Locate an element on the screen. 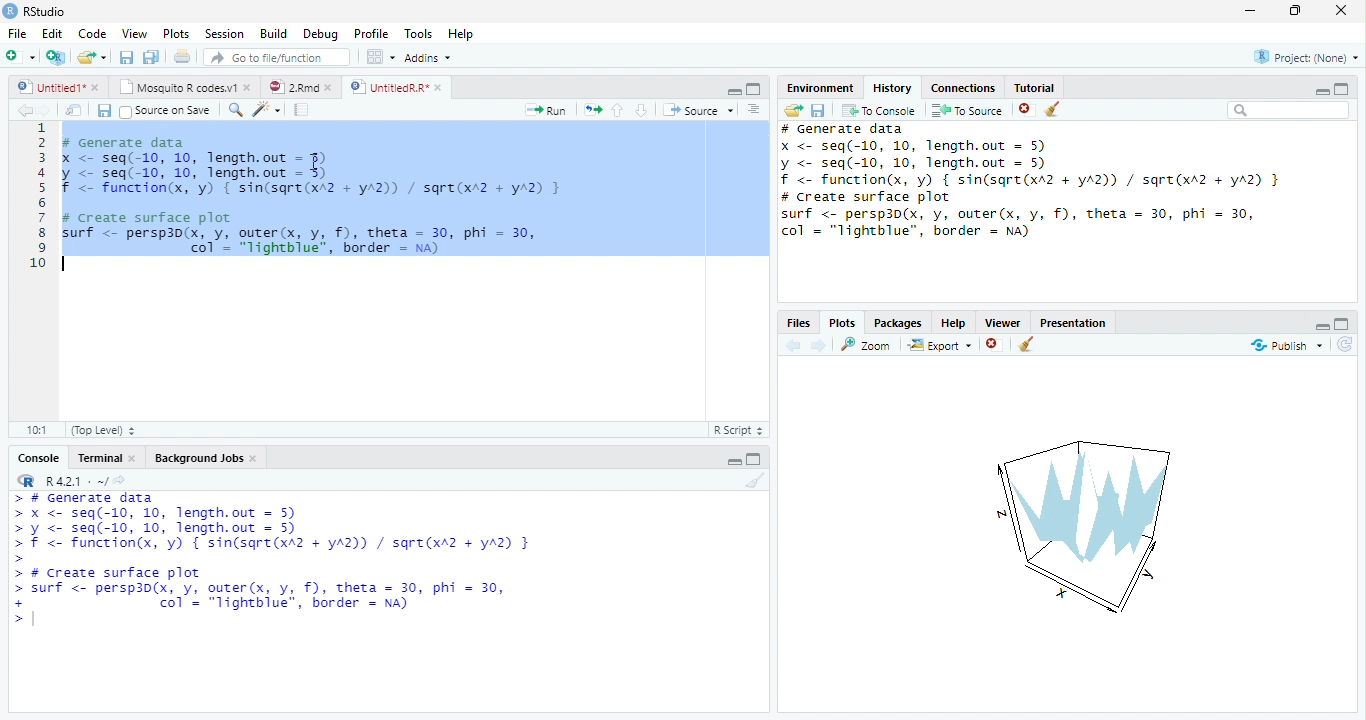  R 4.2.1 . ~/ is located at coordinates (76, 480).